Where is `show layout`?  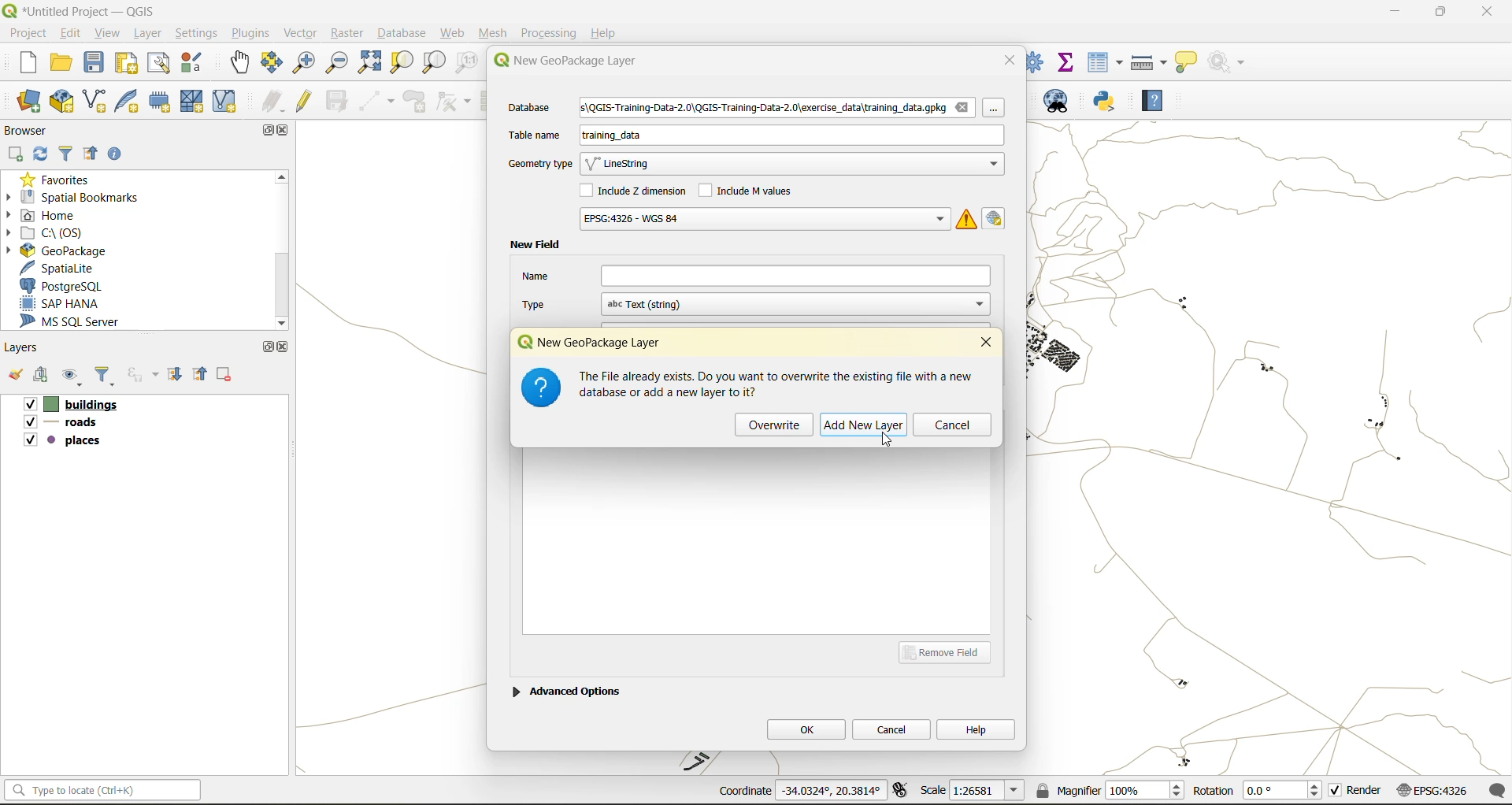
show layout is located at coordinates (160, 63).